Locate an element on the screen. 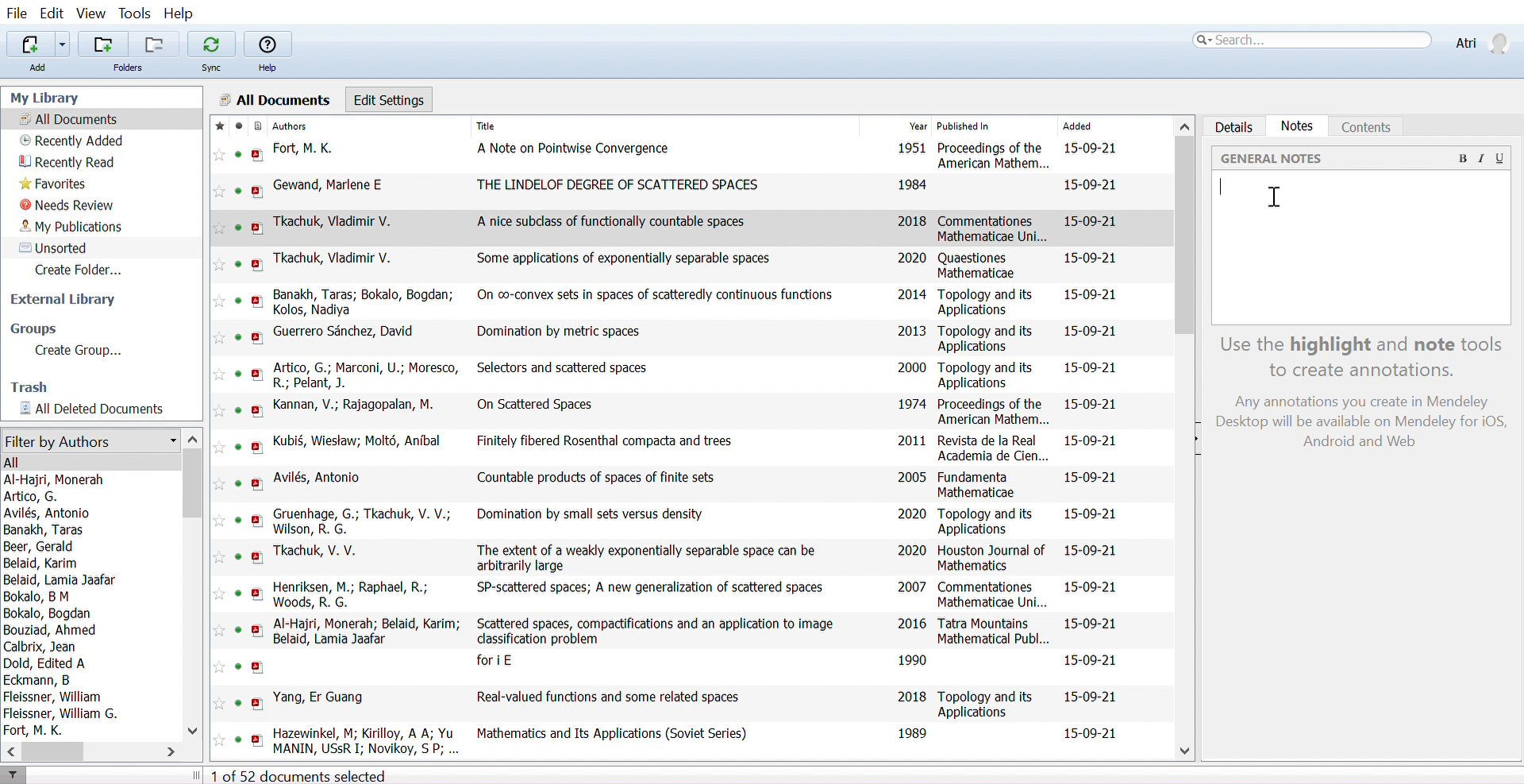 The image size is (1524, 784). Topology and its Applications is located at coordinates (987, 522).